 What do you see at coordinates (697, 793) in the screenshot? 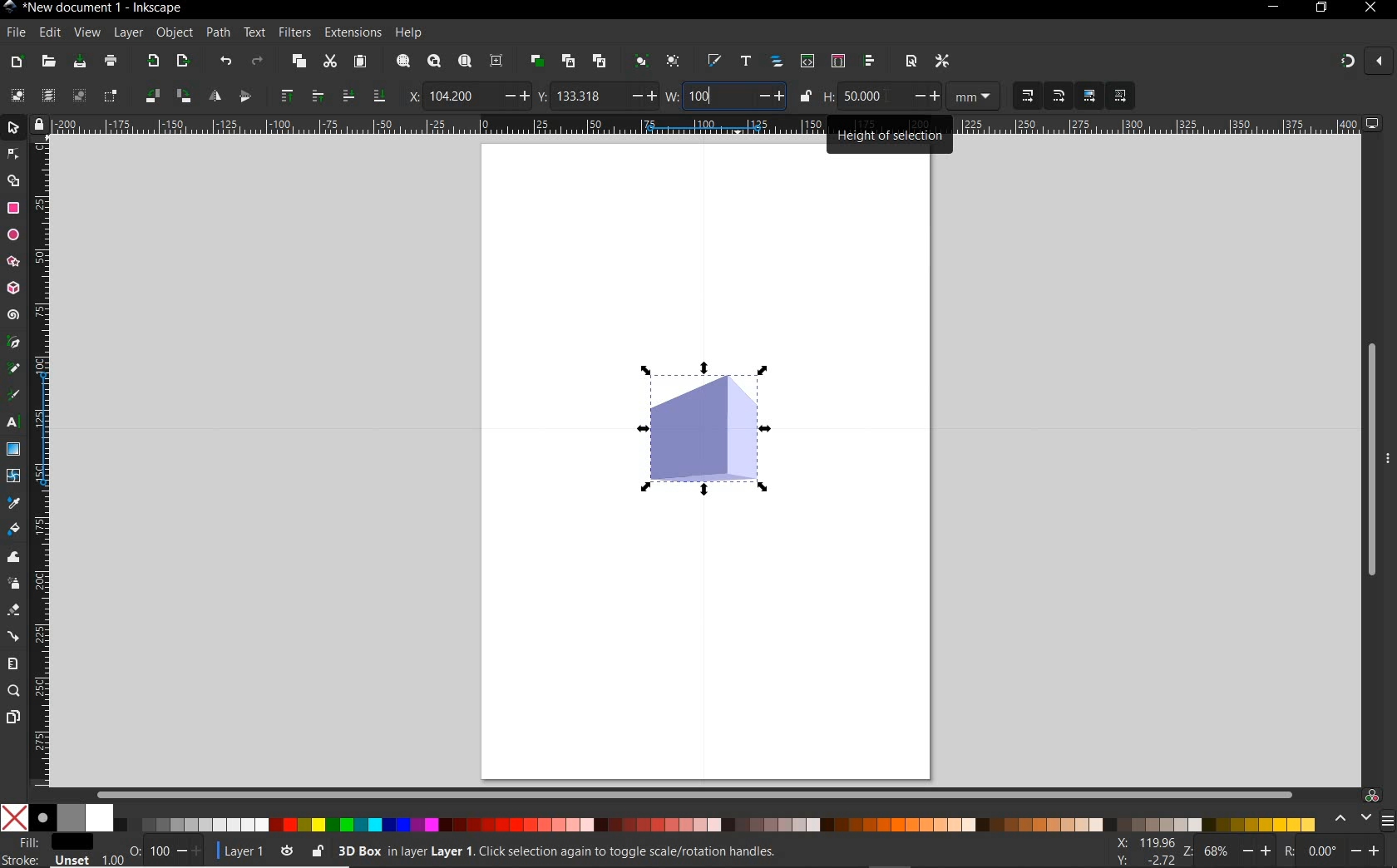
I see `scrollbar` at bounding box center [697, 793].